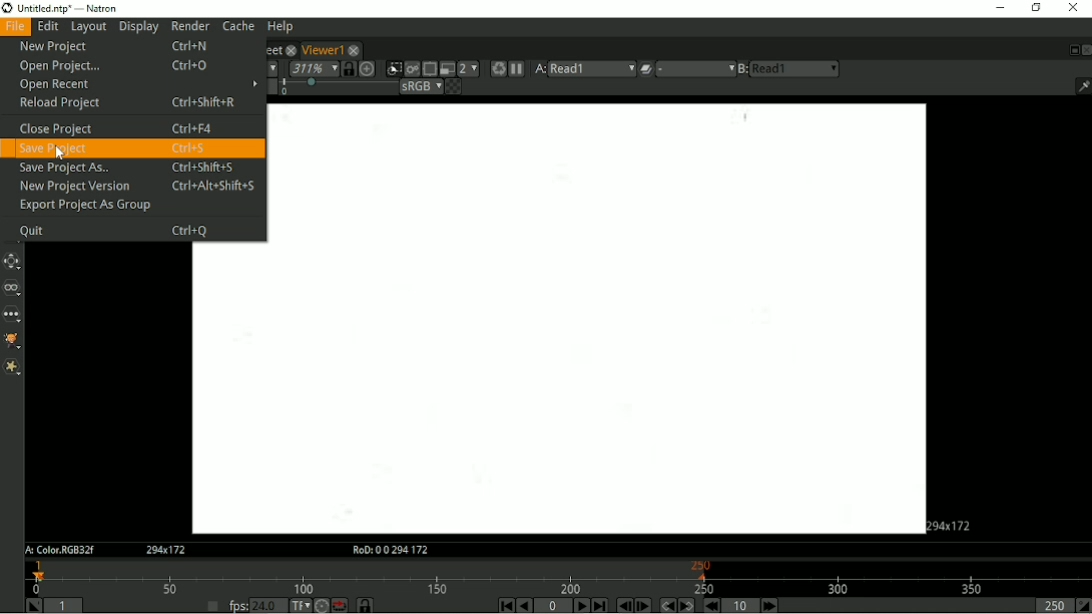 The image size is (1092, 614). I want to click on Viewer color process, so click(421, 87).